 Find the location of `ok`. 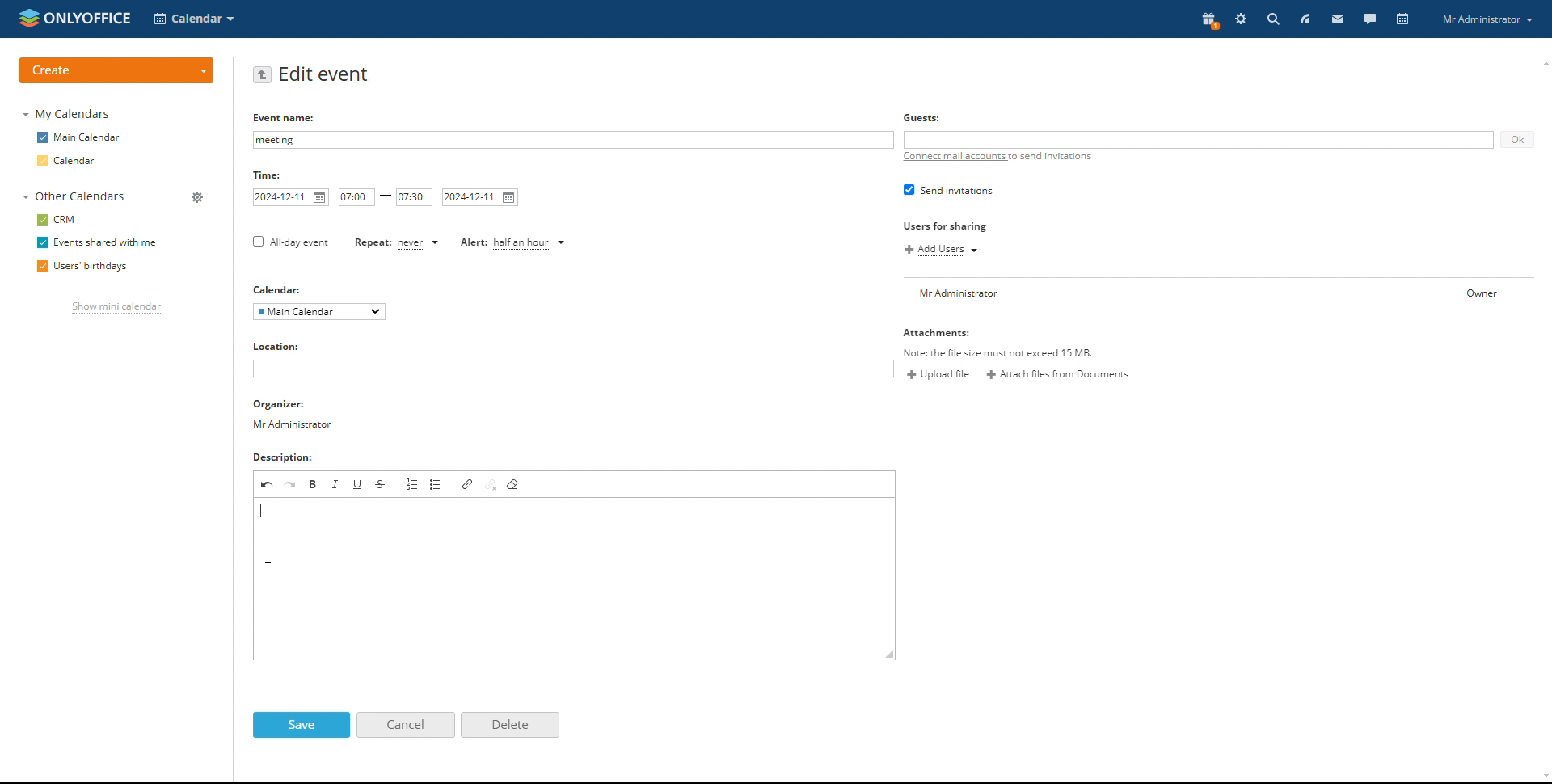

ok is located at coordinates (1516, 139).